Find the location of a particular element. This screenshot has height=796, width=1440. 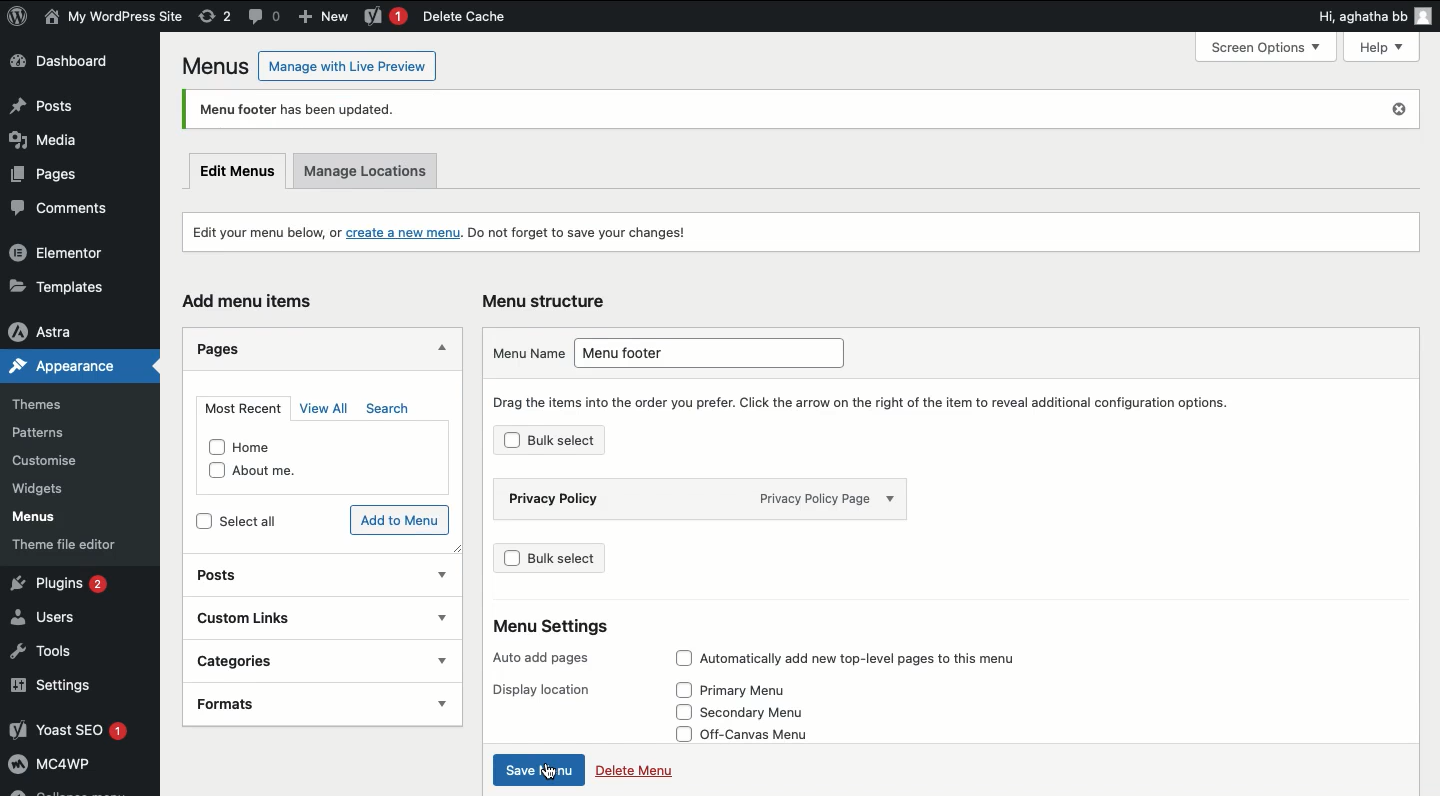

Edit menus is located at coordinates (234, 172).